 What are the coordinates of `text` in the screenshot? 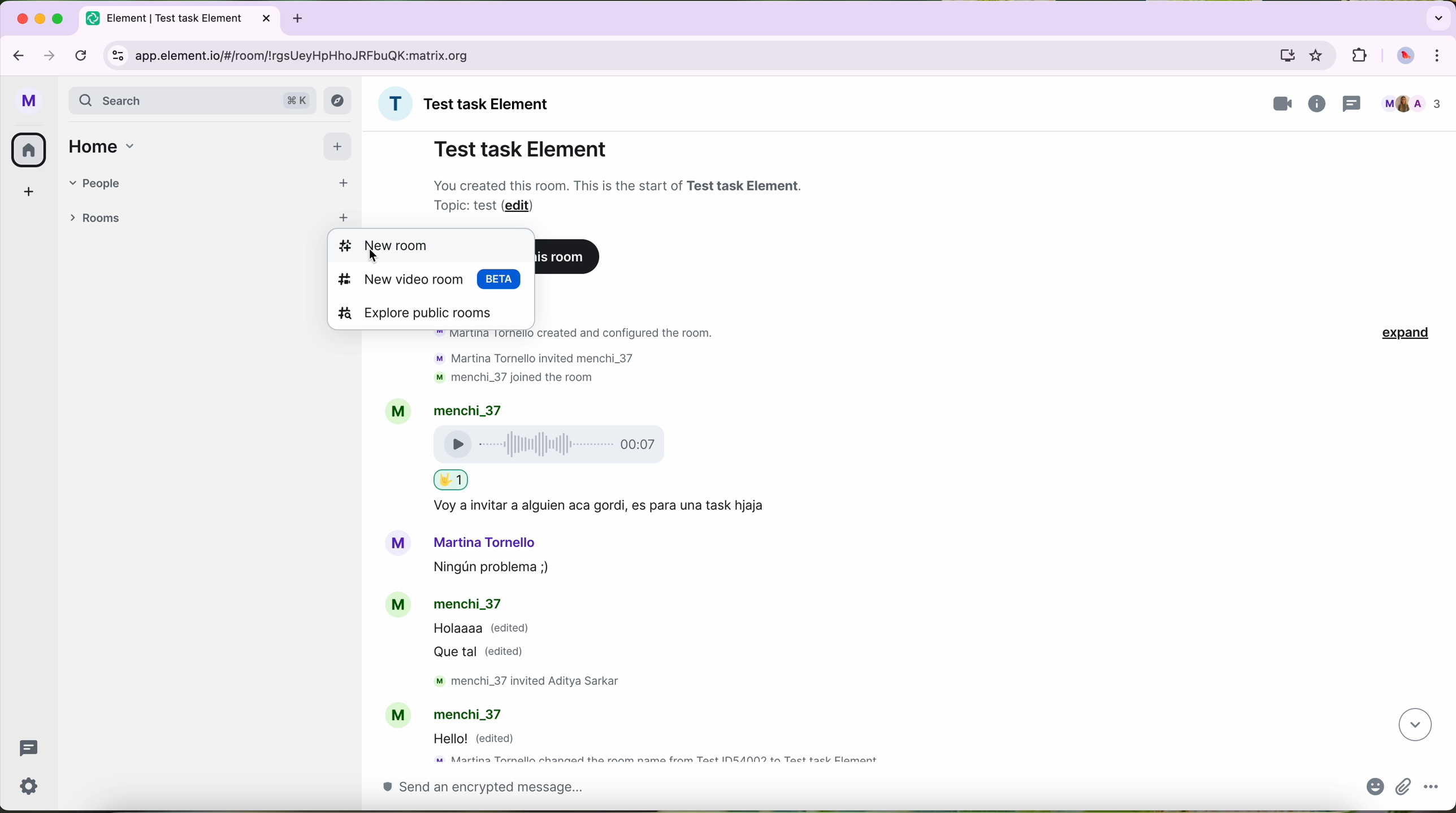 It's located at (612, 507).